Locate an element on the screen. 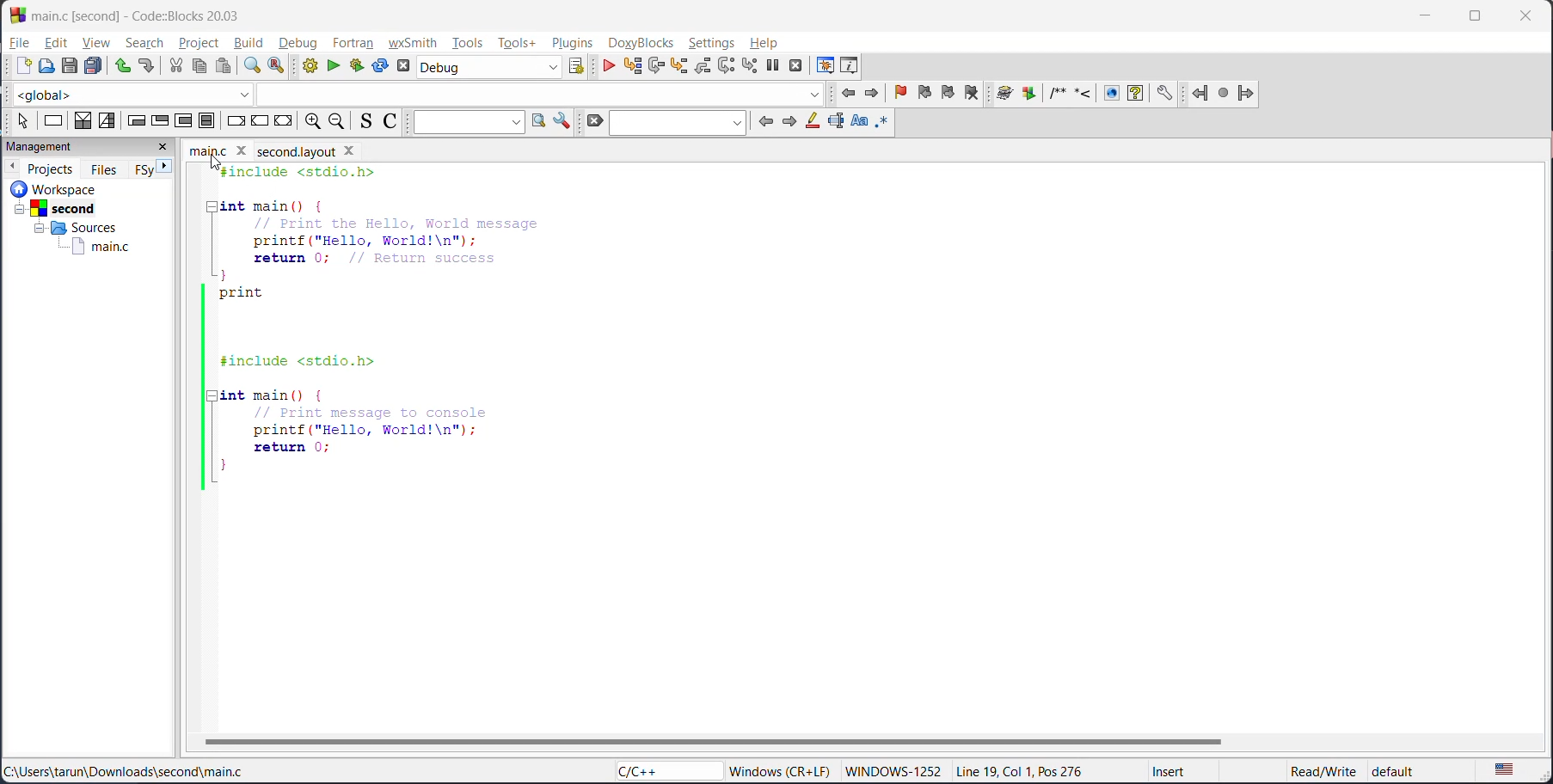 The height and width of the screenshot is (784, 1553). build target is located at coordinates (494, 69).